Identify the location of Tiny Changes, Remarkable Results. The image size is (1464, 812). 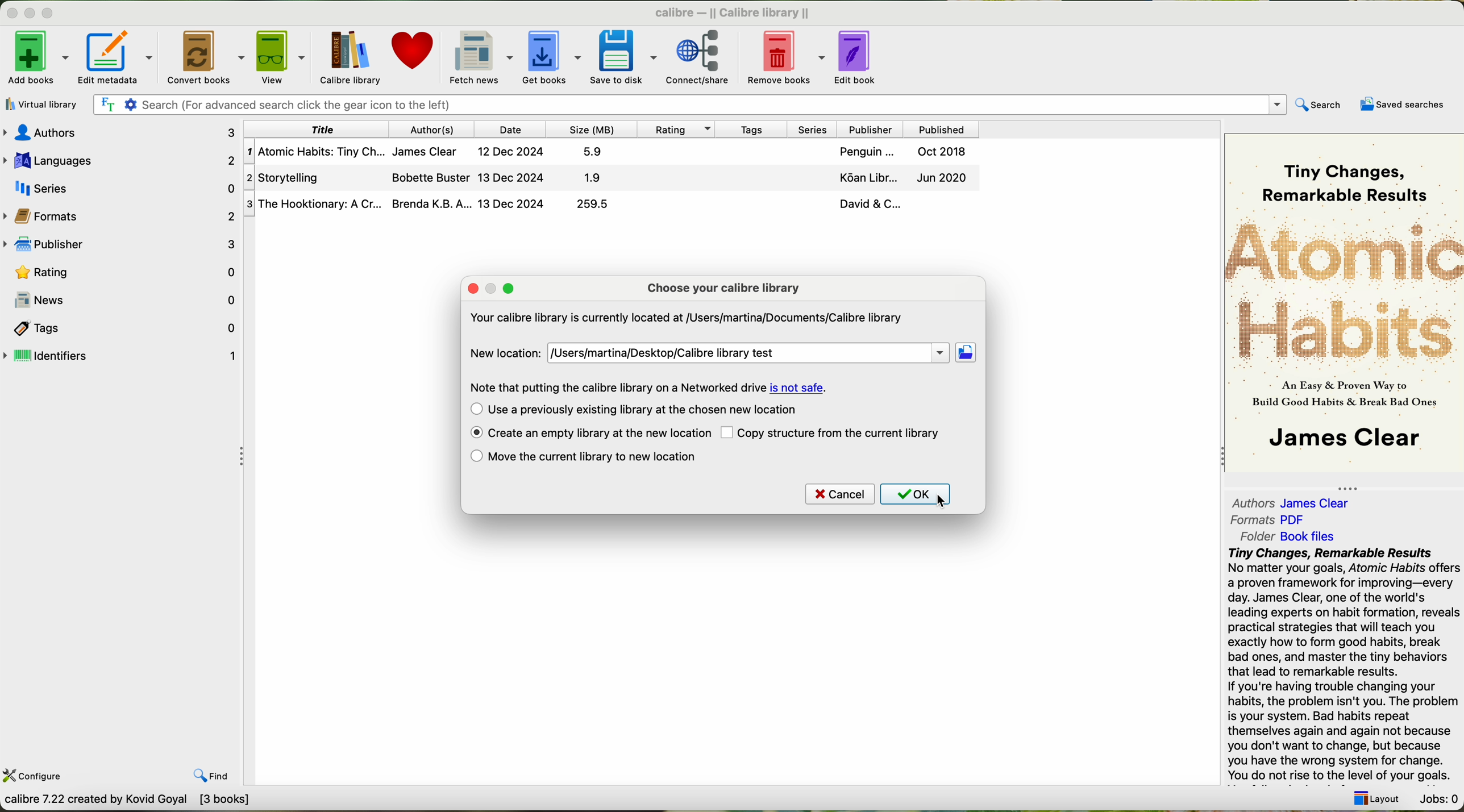
(1344, 170).